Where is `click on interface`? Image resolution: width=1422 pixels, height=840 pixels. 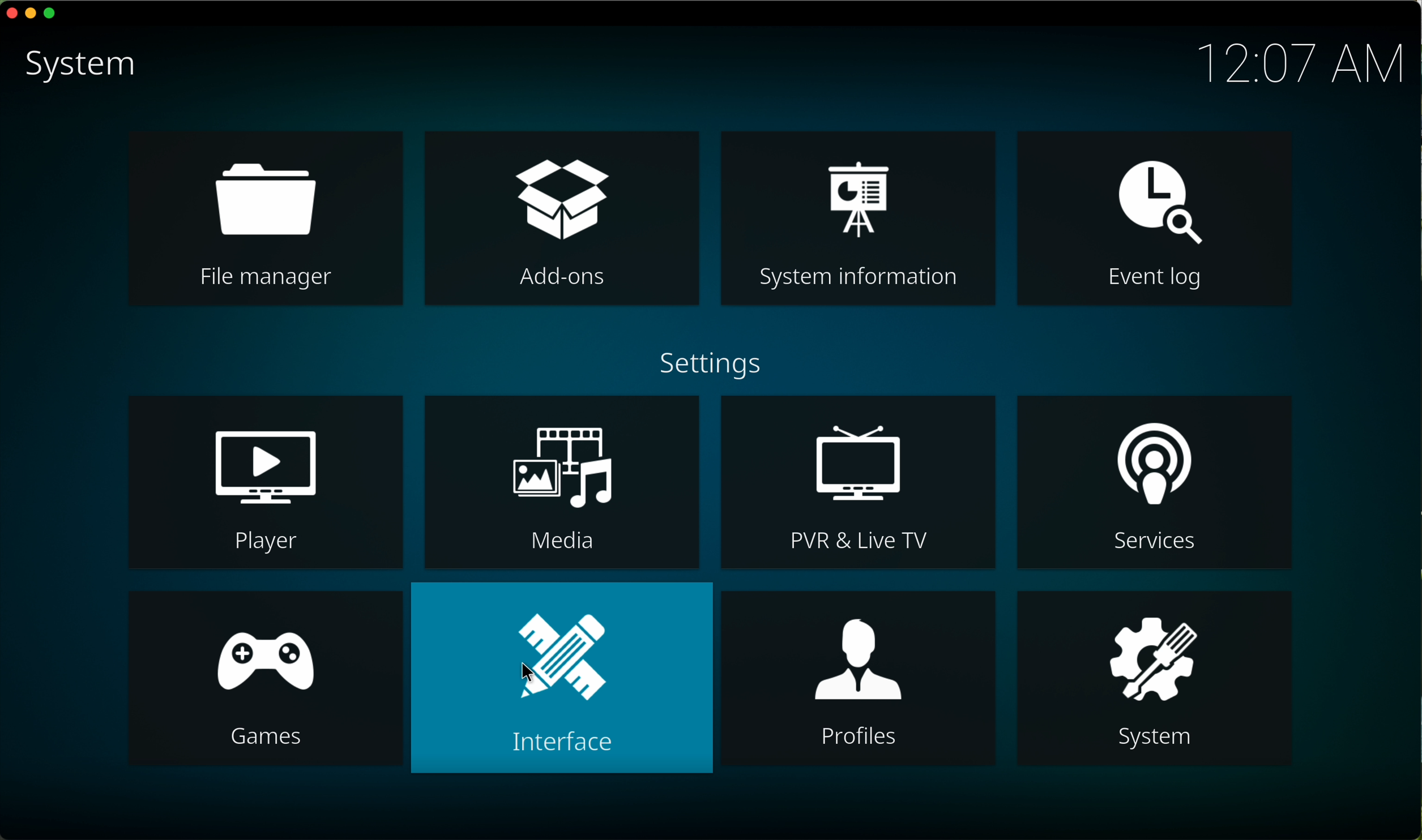
click on interface is located at coordinates (562, 678).